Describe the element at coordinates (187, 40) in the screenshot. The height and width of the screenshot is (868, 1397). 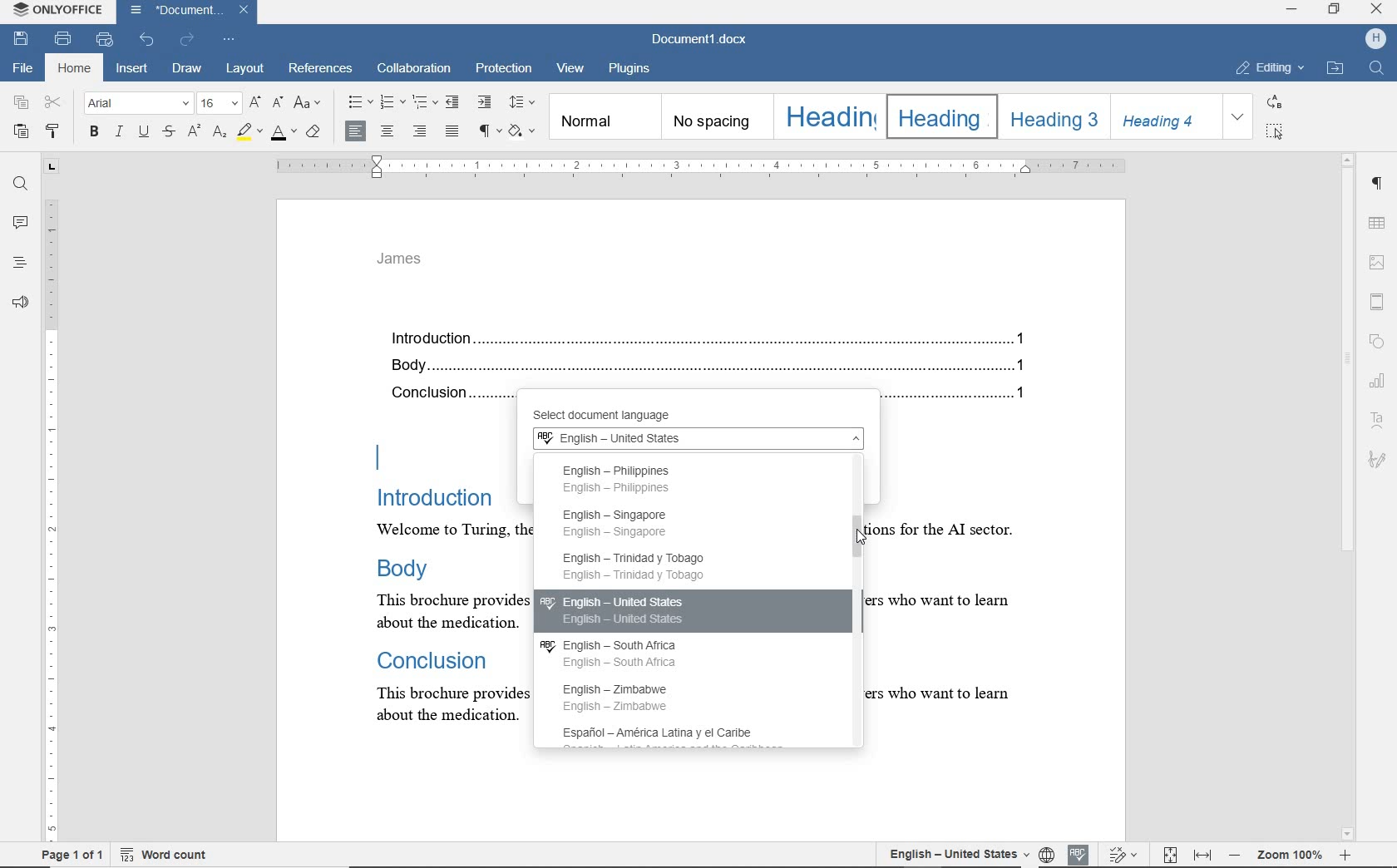
I see `redo` at that location.